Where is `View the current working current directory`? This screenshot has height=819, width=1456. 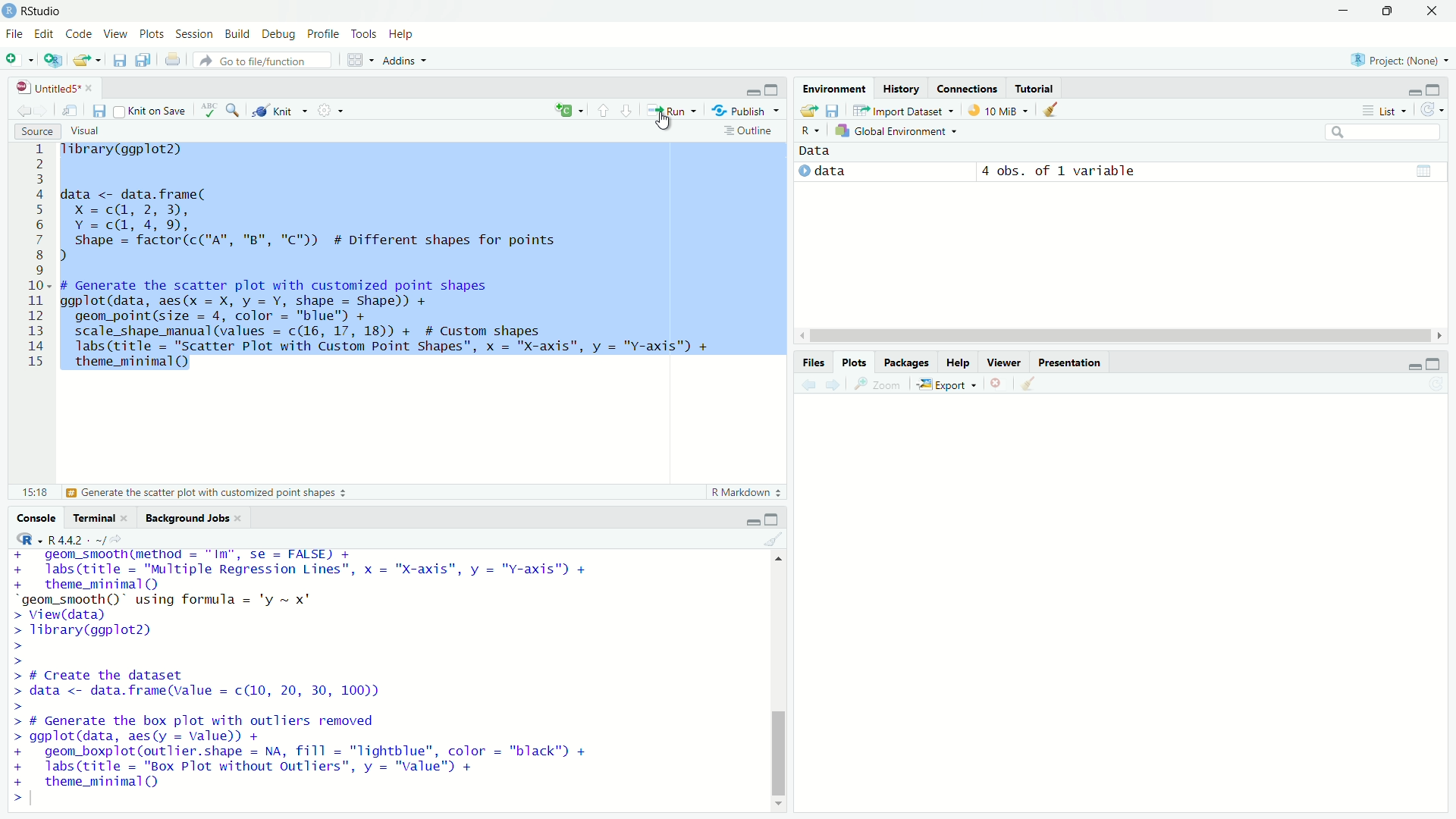 View the current working current directory is located at coordinates (116, 539).